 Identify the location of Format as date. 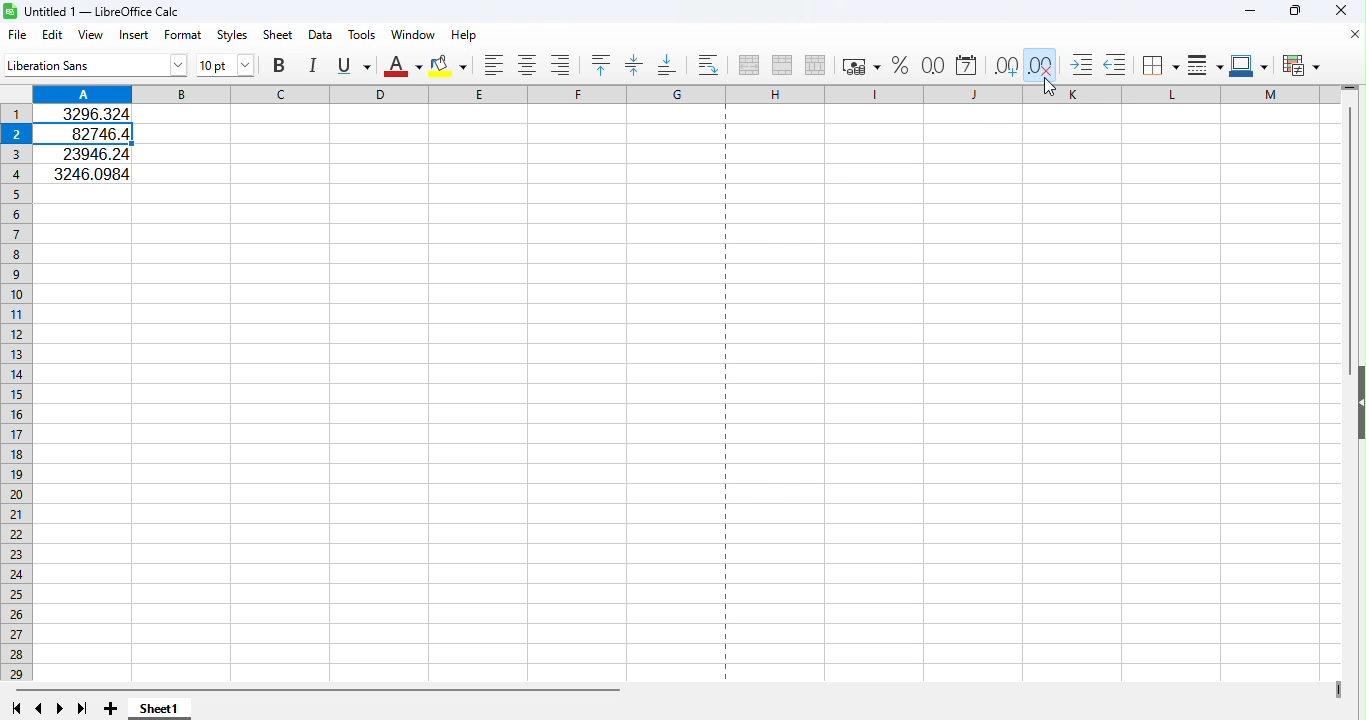
(966, 64).